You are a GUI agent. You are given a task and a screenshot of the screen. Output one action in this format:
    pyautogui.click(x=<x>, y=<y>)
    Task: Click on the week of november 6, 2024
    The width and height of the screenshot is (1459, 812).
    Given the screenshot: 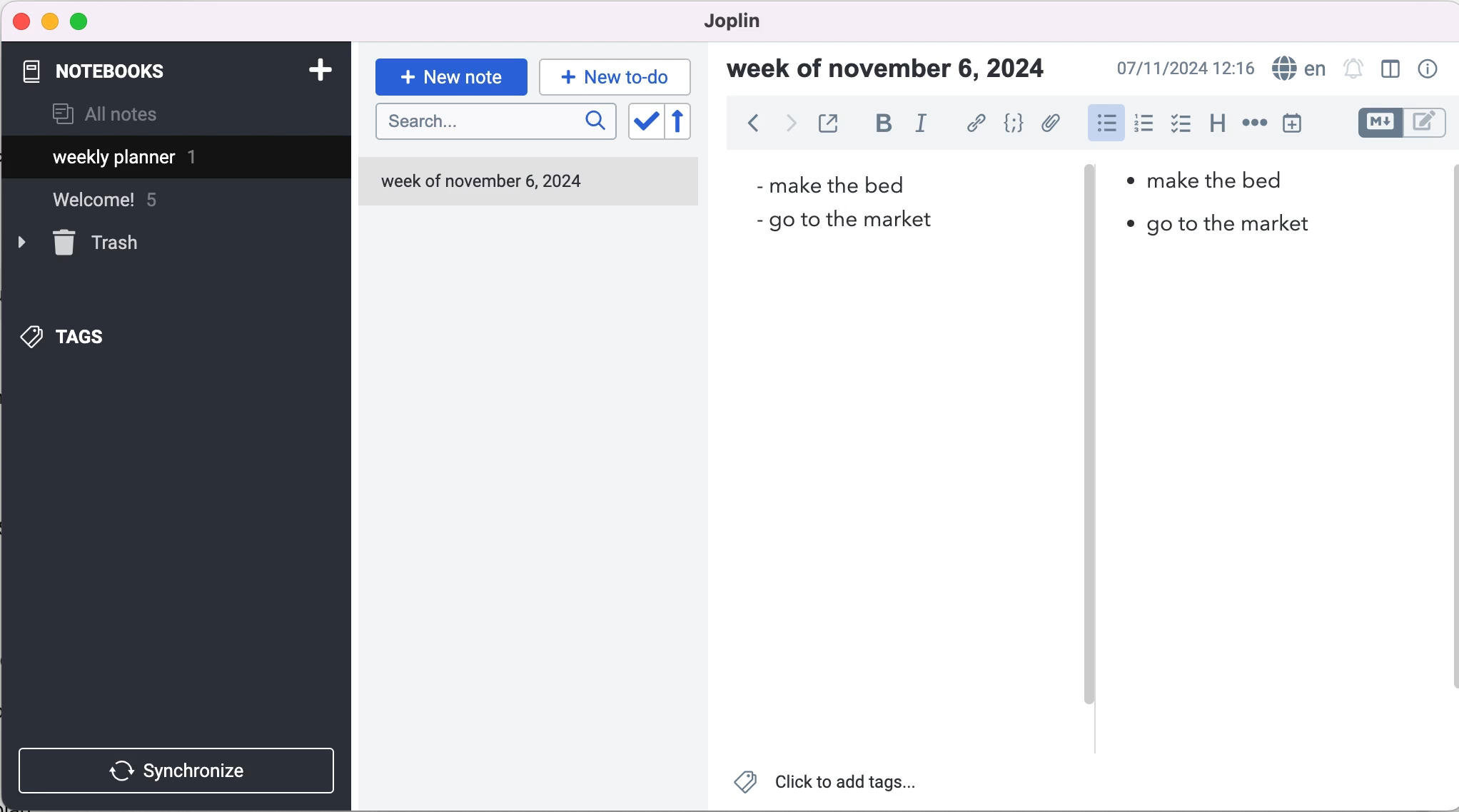 What is the action you would take?
    pyautogui.click(x=486, y=186)
    